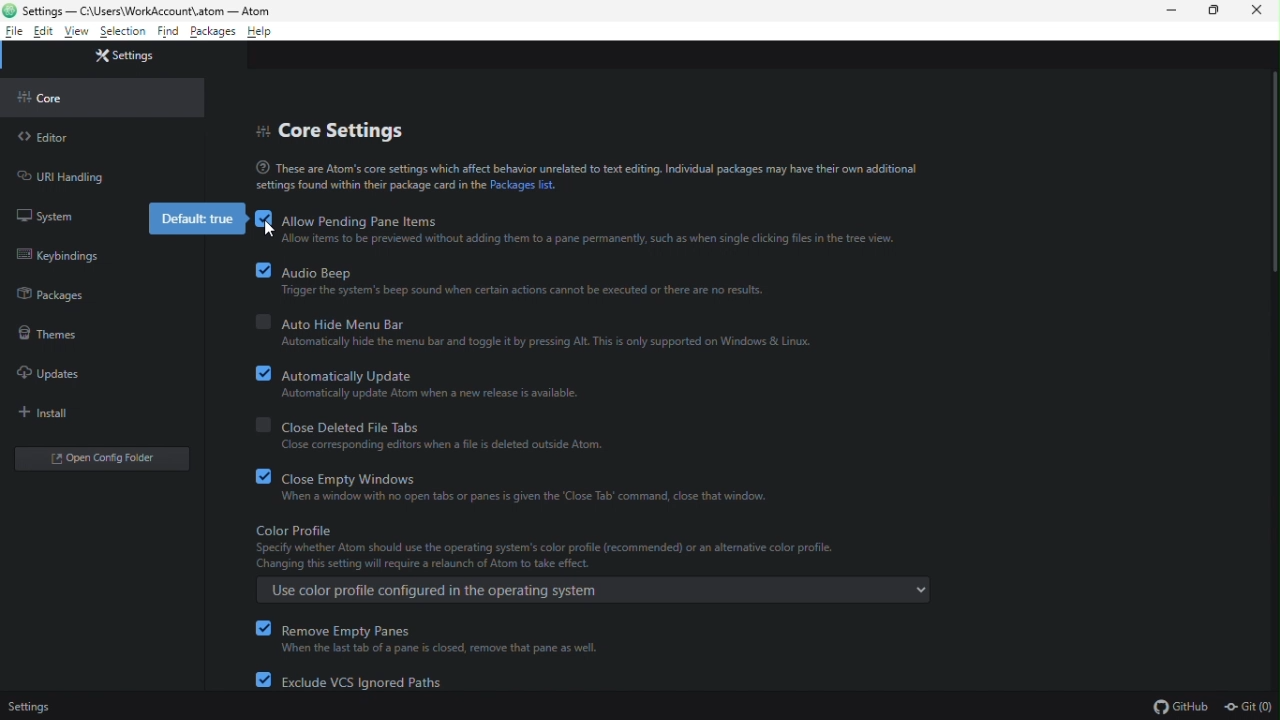 This screenshot has height=720, width=1280. What do you see at coordinates (77, 32) in the screenshot?
I see `view ` at bounding box center [77, 32].